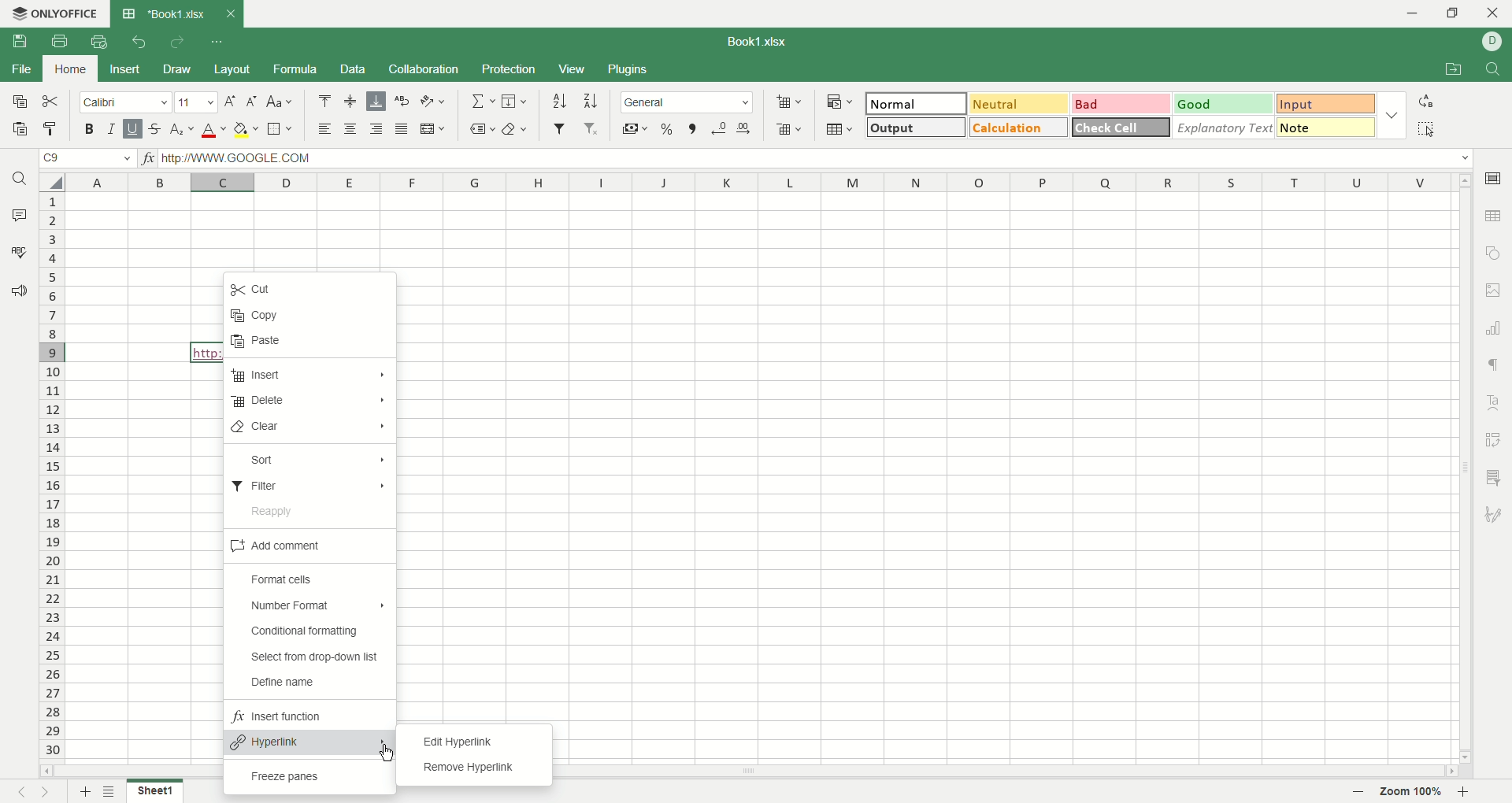 This screenshot has height=803, width=1512. I want to click on summation, so click(486, 99).